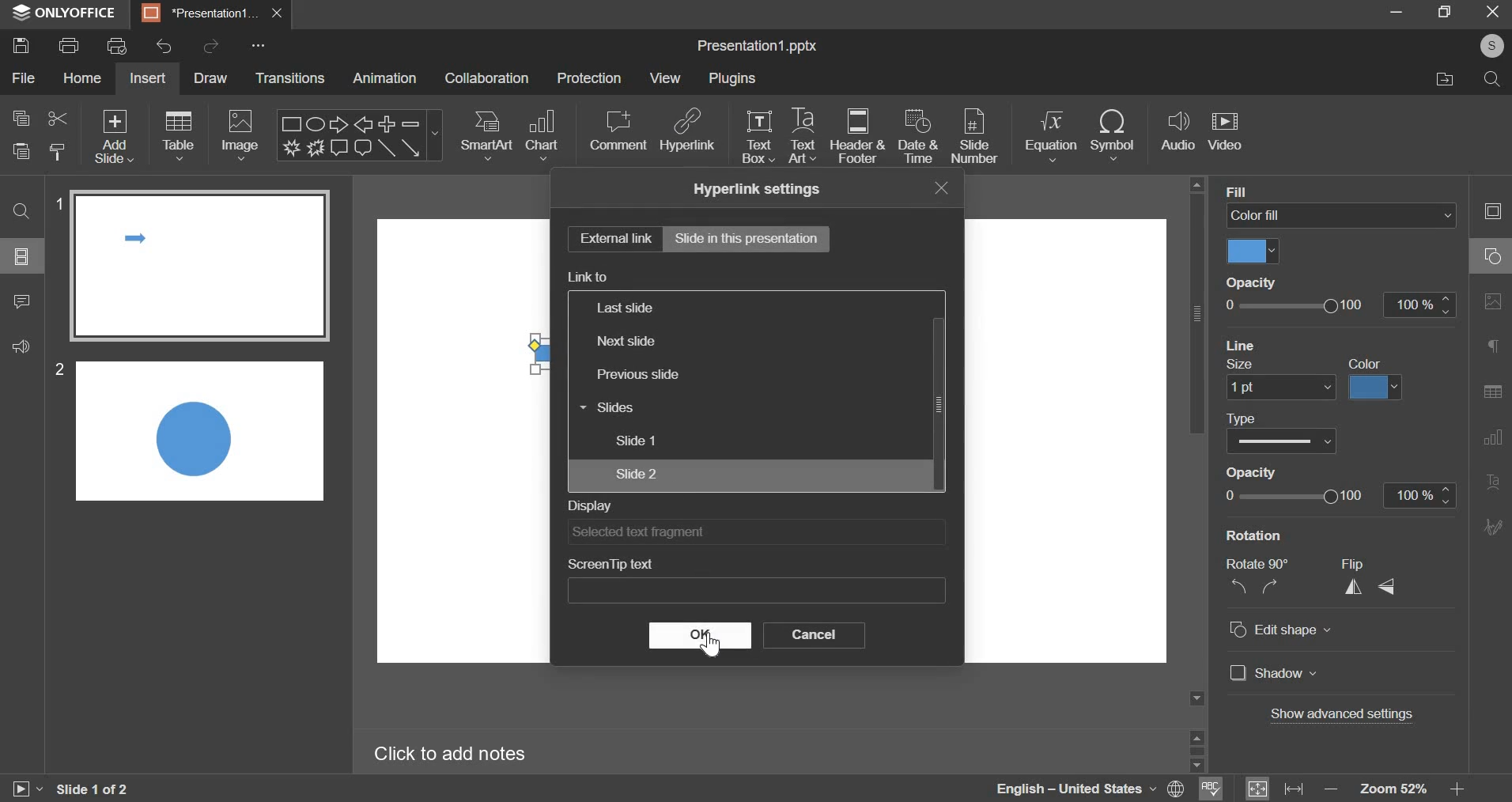  Describe the element at coordinates (1298, 496) in the screenshot. I see `slider from 0 to 100` at that location.